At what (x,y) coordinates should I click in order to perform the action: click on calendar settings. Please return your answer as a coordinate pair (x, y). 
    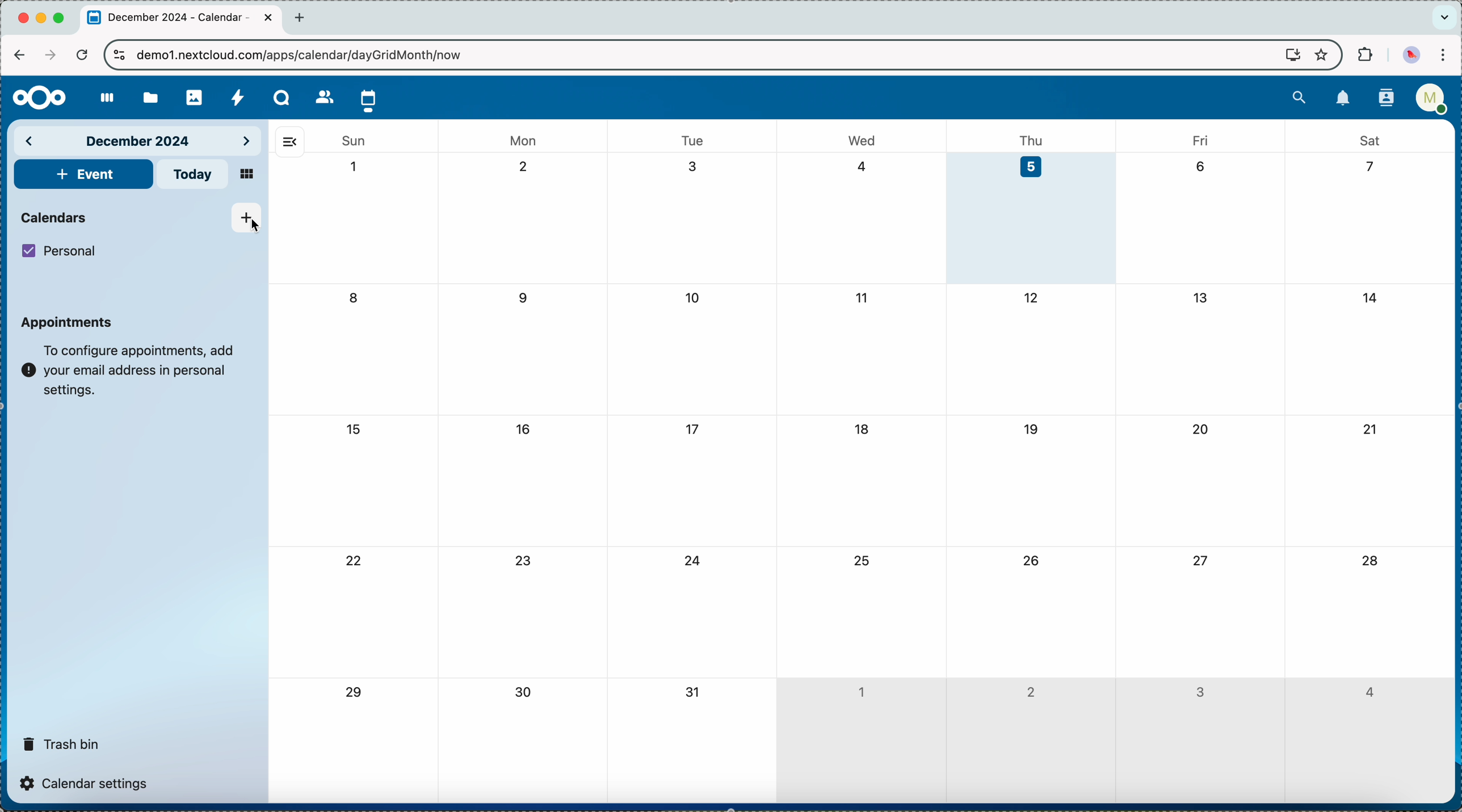
    Looking at the image, I should click on (87, 782).